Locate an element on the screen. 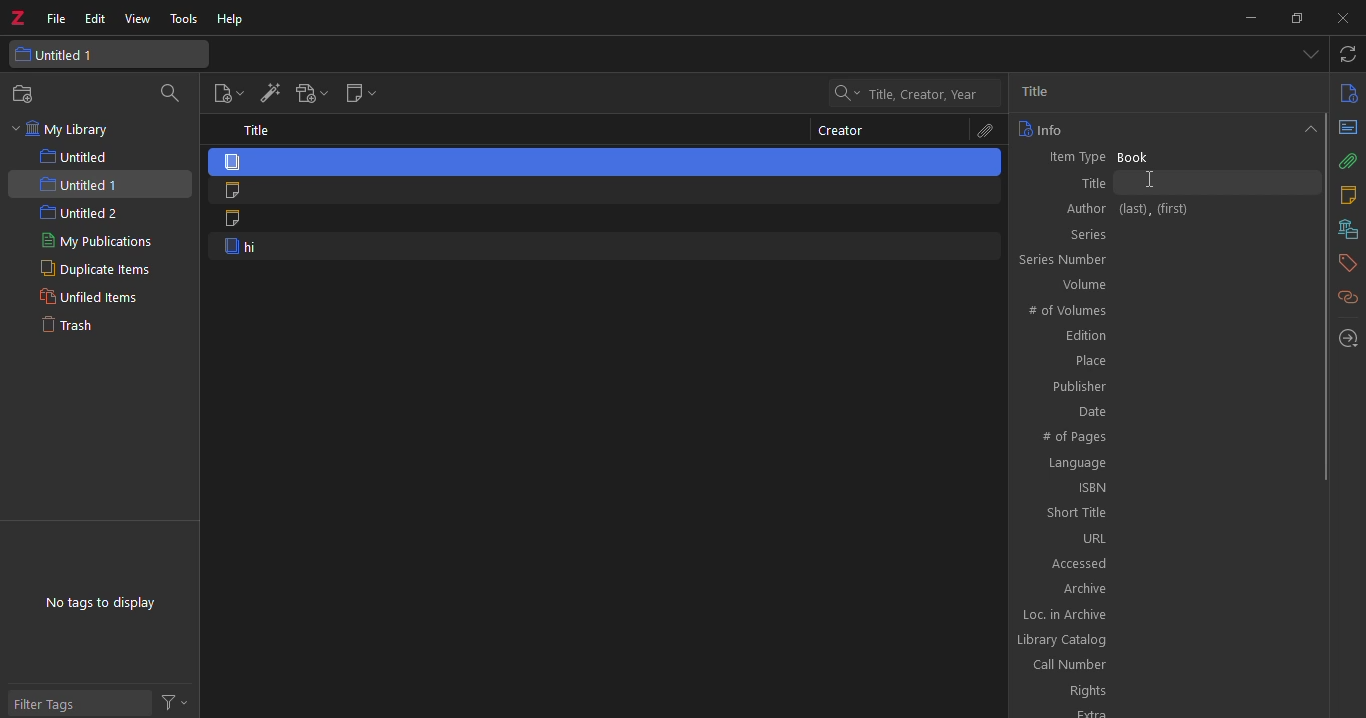 The width and height of the screenshot is (1366, 718). title is located at coordinates (1045, 92).